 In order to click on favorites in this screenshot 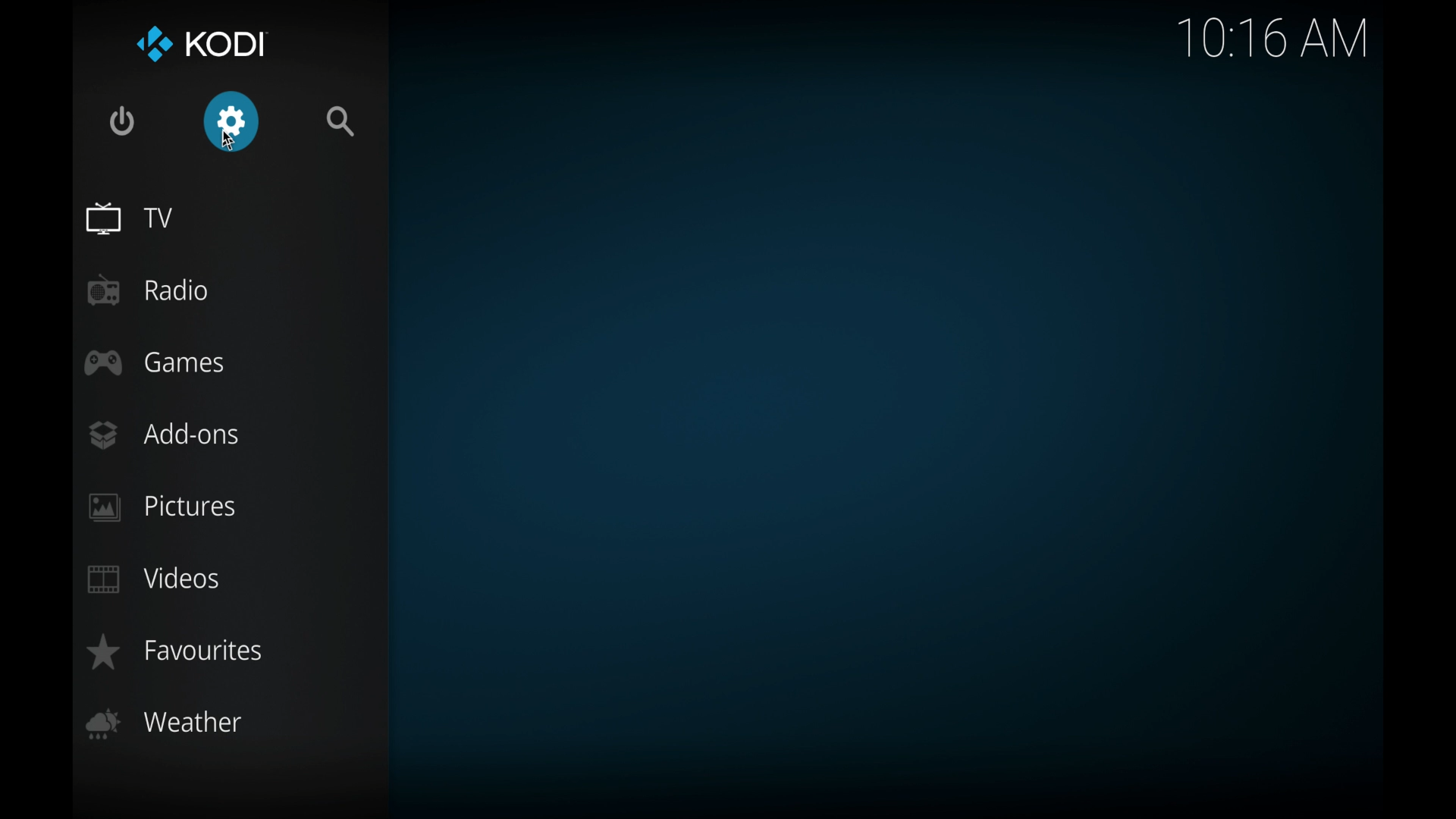, I will do `click(173, 652)`.